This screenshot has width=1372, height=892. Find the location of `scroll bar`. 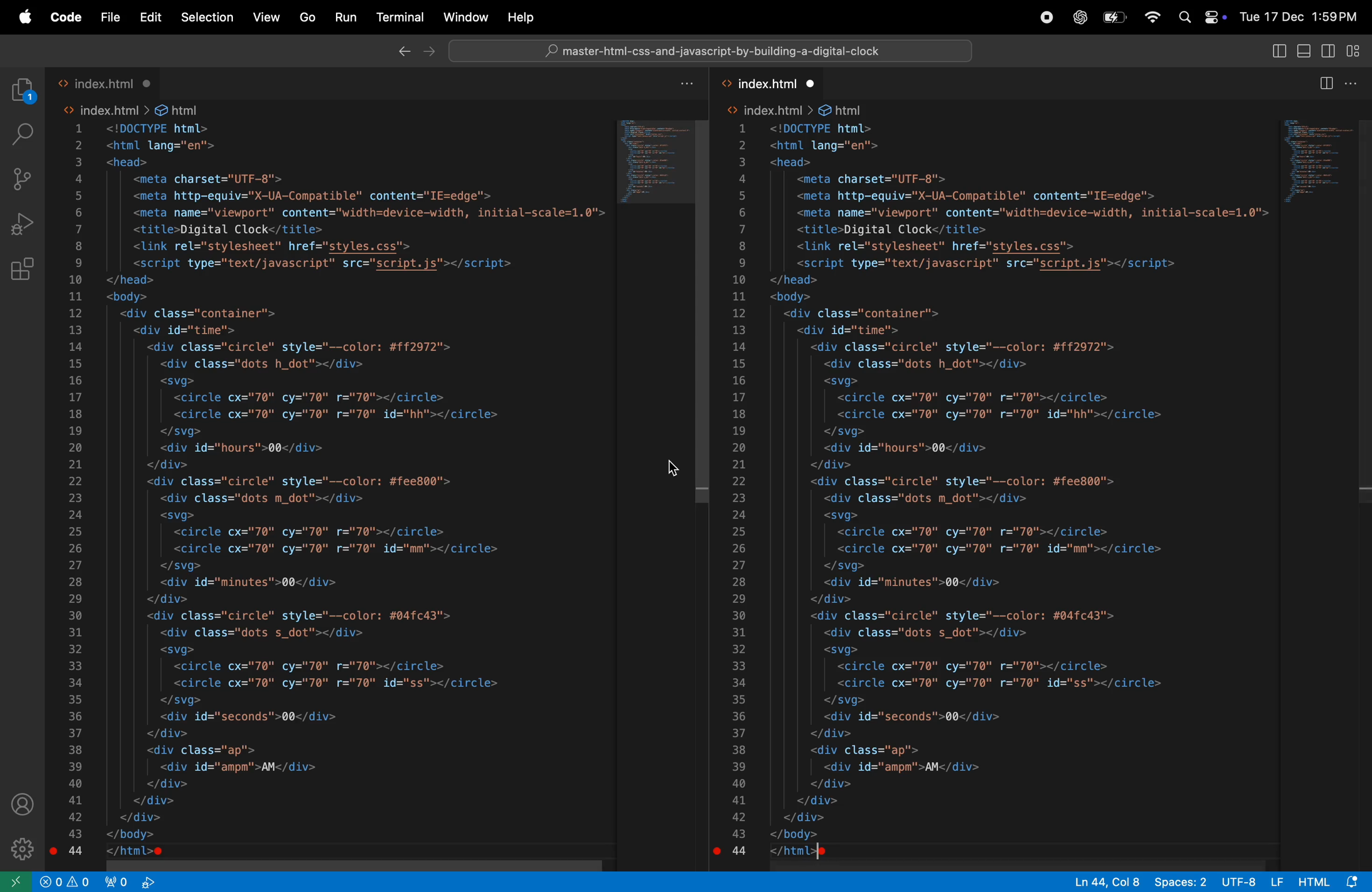

scroll bar is located at coordinates (704, 311).